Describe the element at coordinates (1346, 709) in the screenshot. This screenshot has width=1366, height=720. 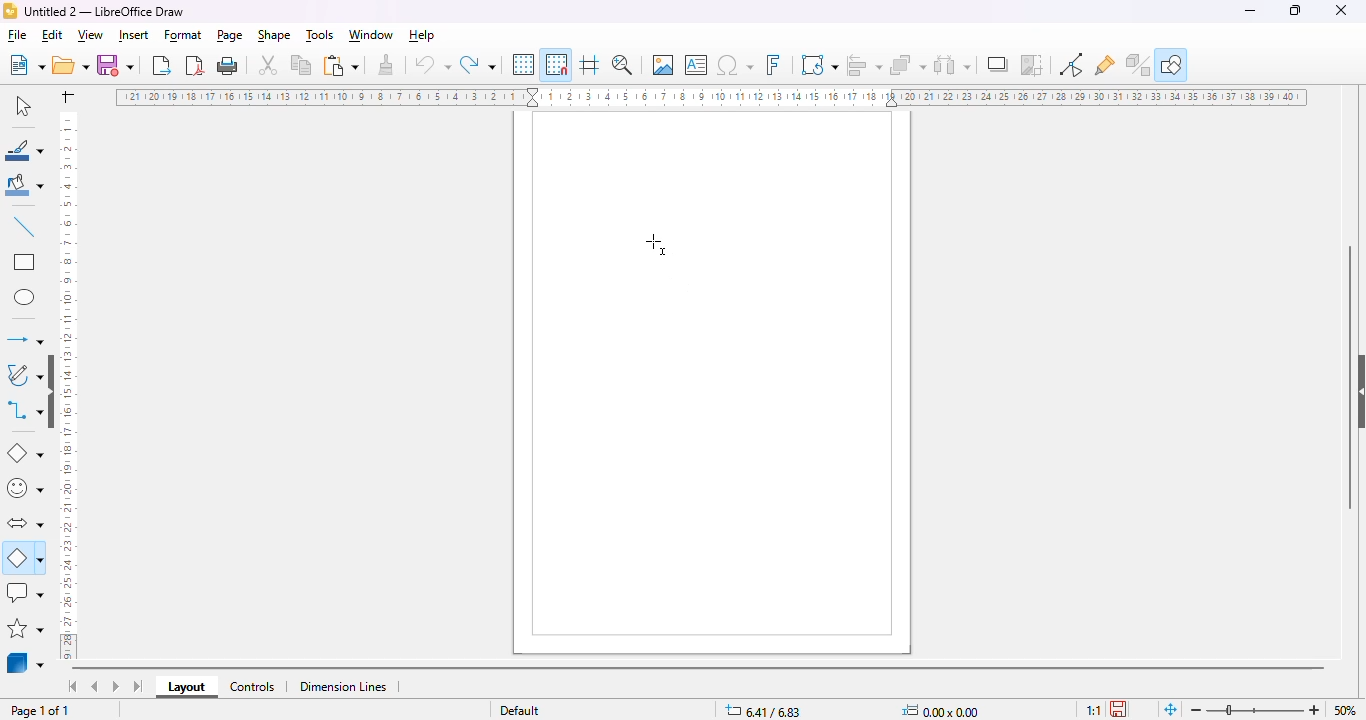
I see `zoom factor` at that location.